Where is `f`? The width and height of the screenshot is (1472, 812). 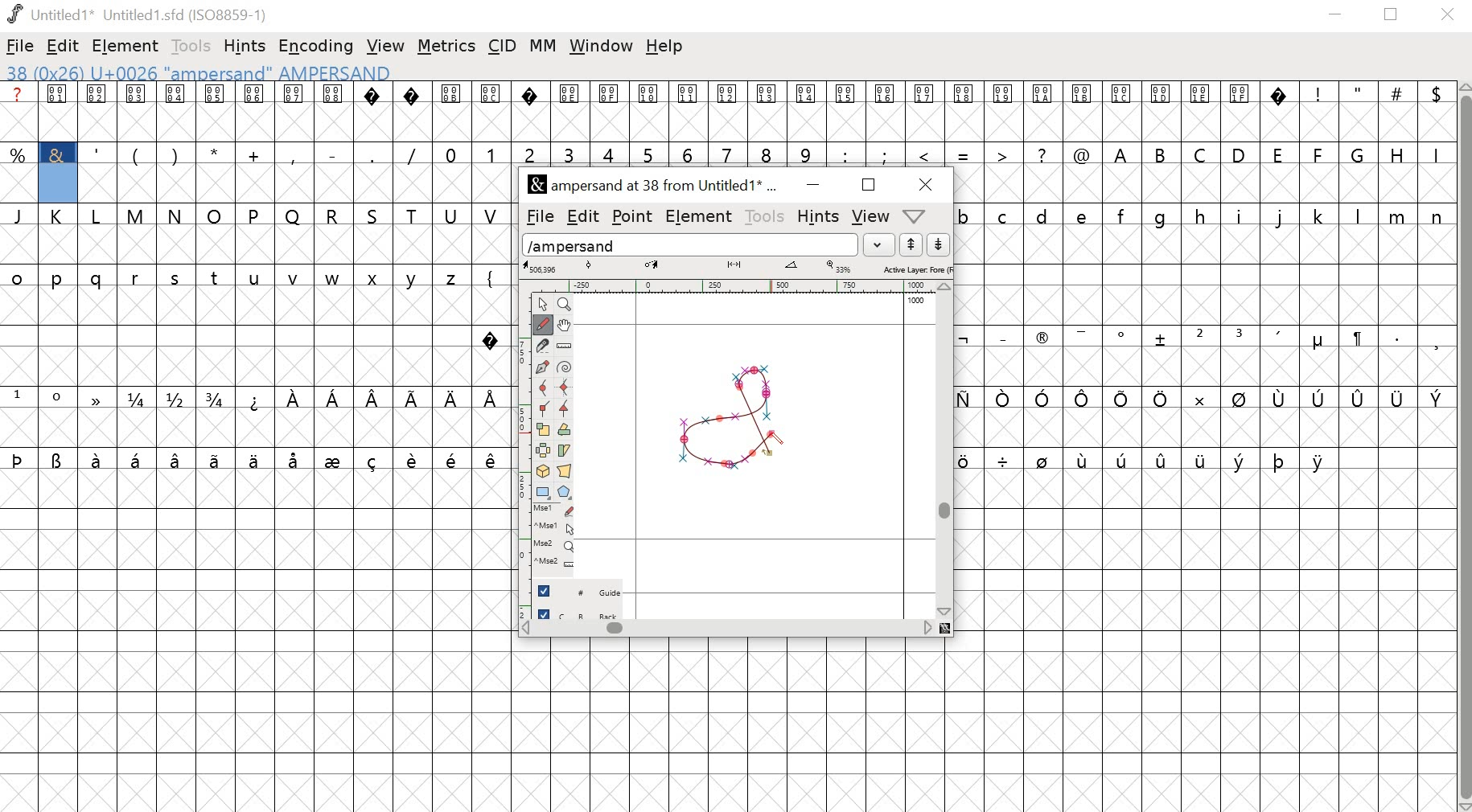 f is located at coordinates (1125, 215).